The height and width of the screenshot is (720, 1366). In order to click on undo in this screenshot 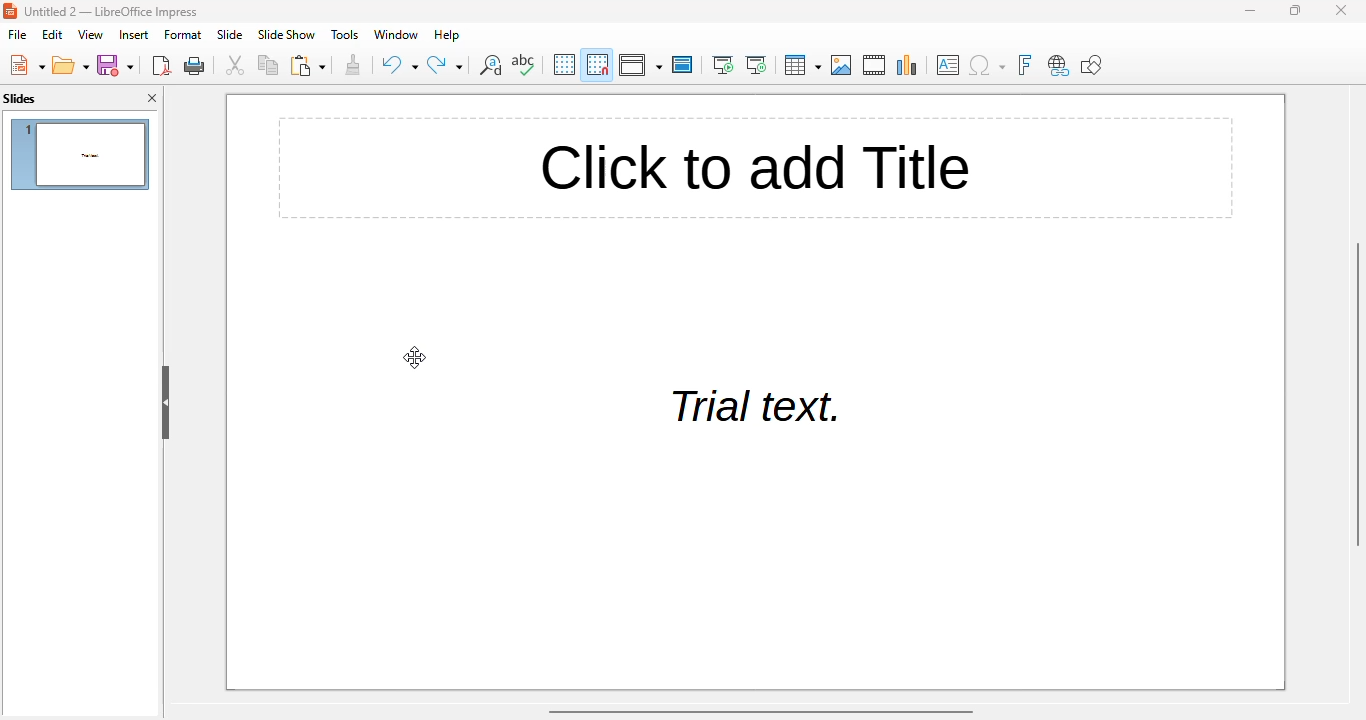, I will do `click(400, 64)`.